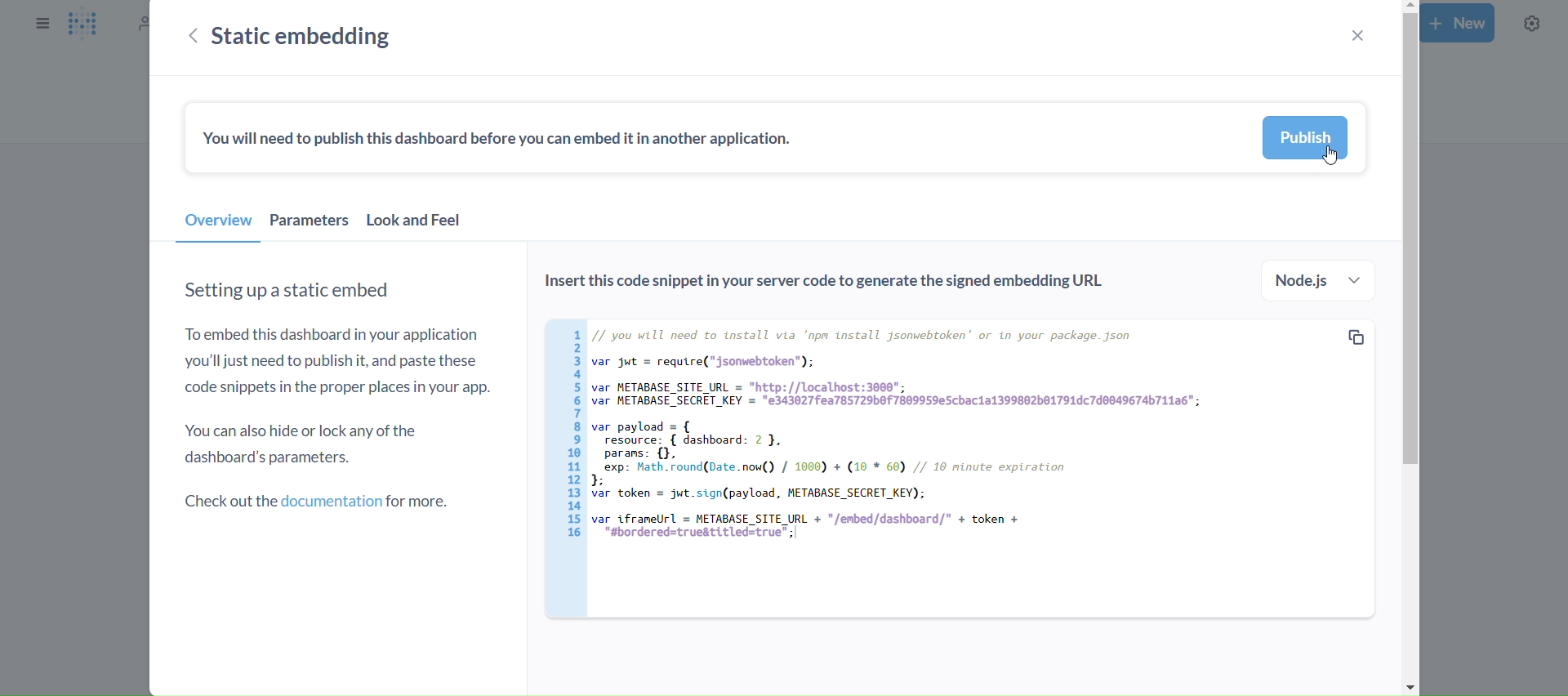 This screenshot has height=696, width=1568. What do you see at coordinates (1407, 348) in the screenshot?
I see `vertical scroll bar` at bounding box center [1407, 348].